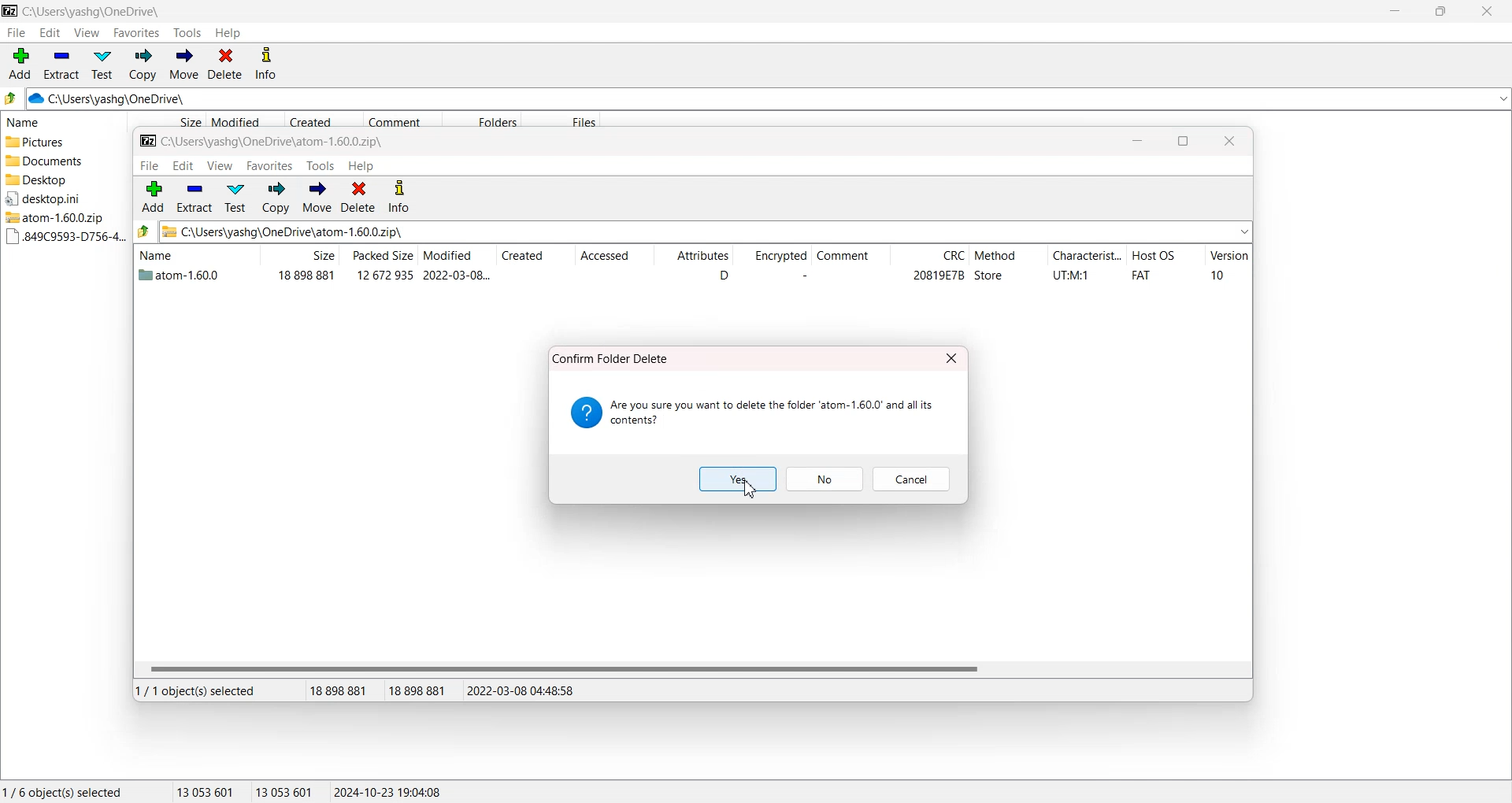 This screenshot has width=1512, height=803. I want to click on maximize, so click(1183, 142).